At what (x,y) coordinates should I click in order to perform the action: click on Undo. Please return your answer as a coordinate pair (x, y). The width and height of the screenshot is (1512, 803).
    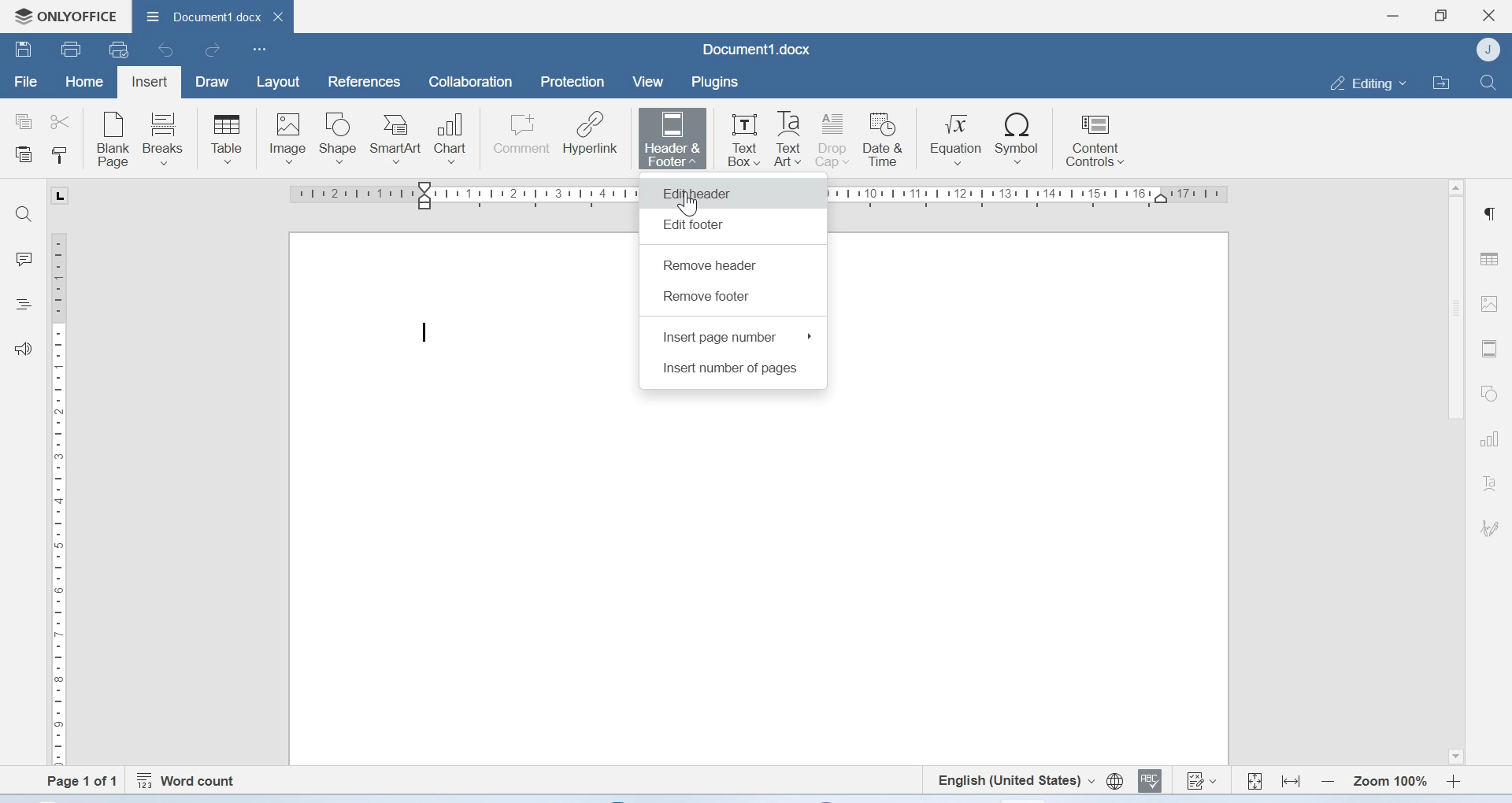
    Looking at the image, I should click on (168, 51).